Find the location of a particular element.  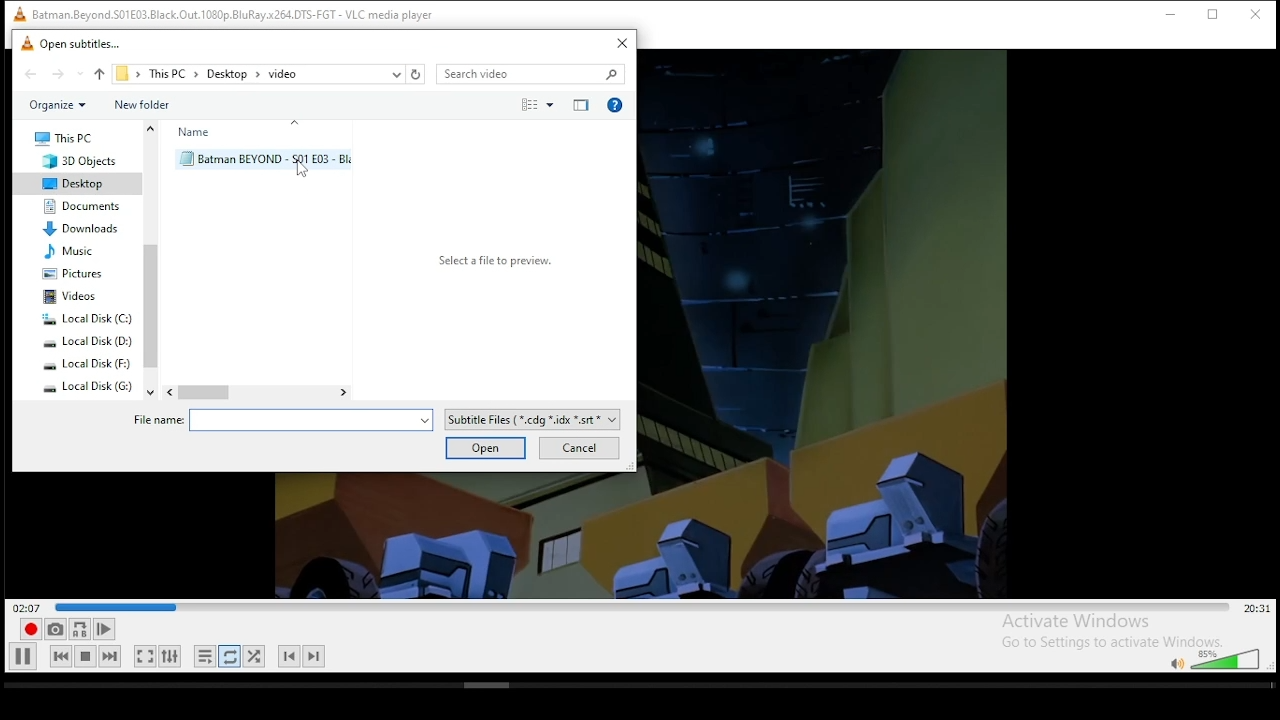

search bar is located at coordinates (530, 72).